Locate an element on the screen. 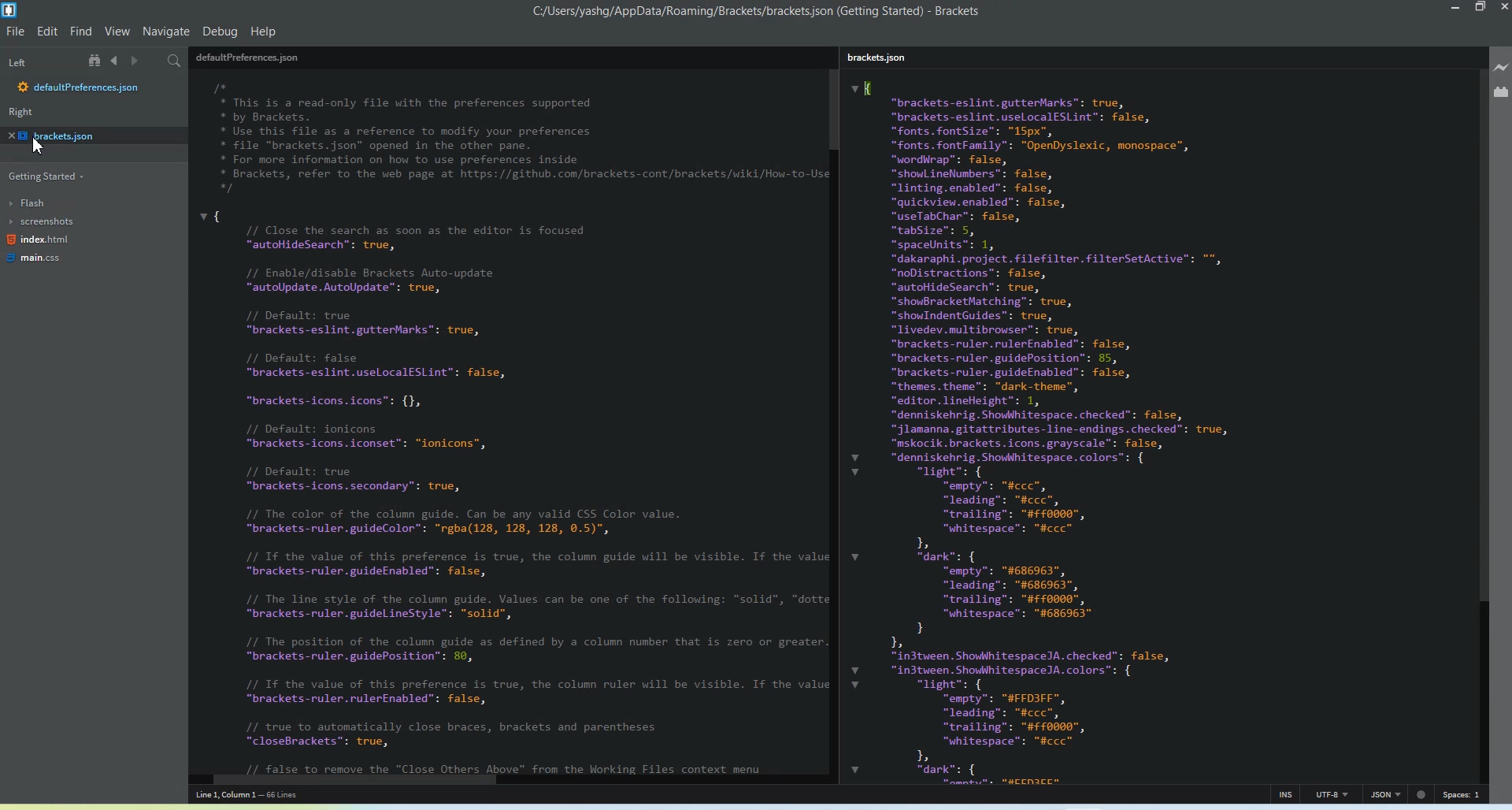  Vertical Scroll bar is located at coordinates (836, 415).